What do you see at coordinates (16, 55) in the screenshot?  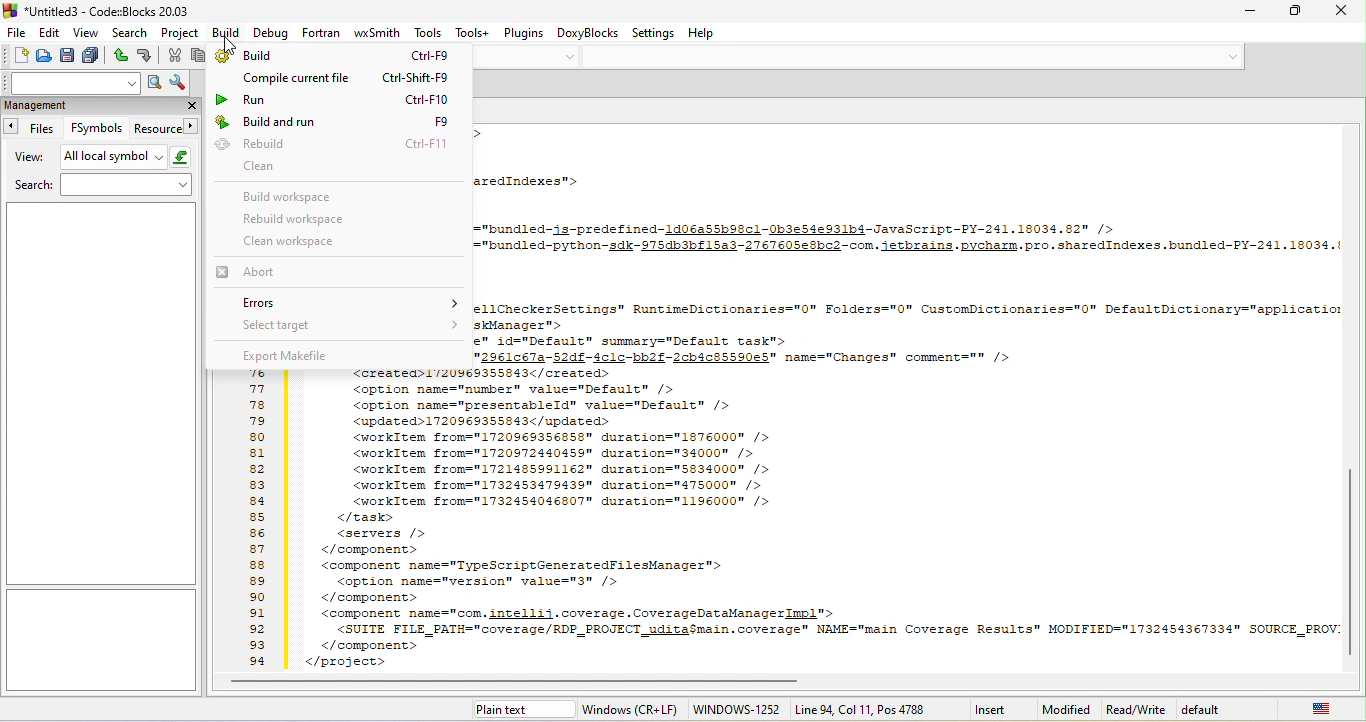 I see `new` at bounding box center [16, 55].